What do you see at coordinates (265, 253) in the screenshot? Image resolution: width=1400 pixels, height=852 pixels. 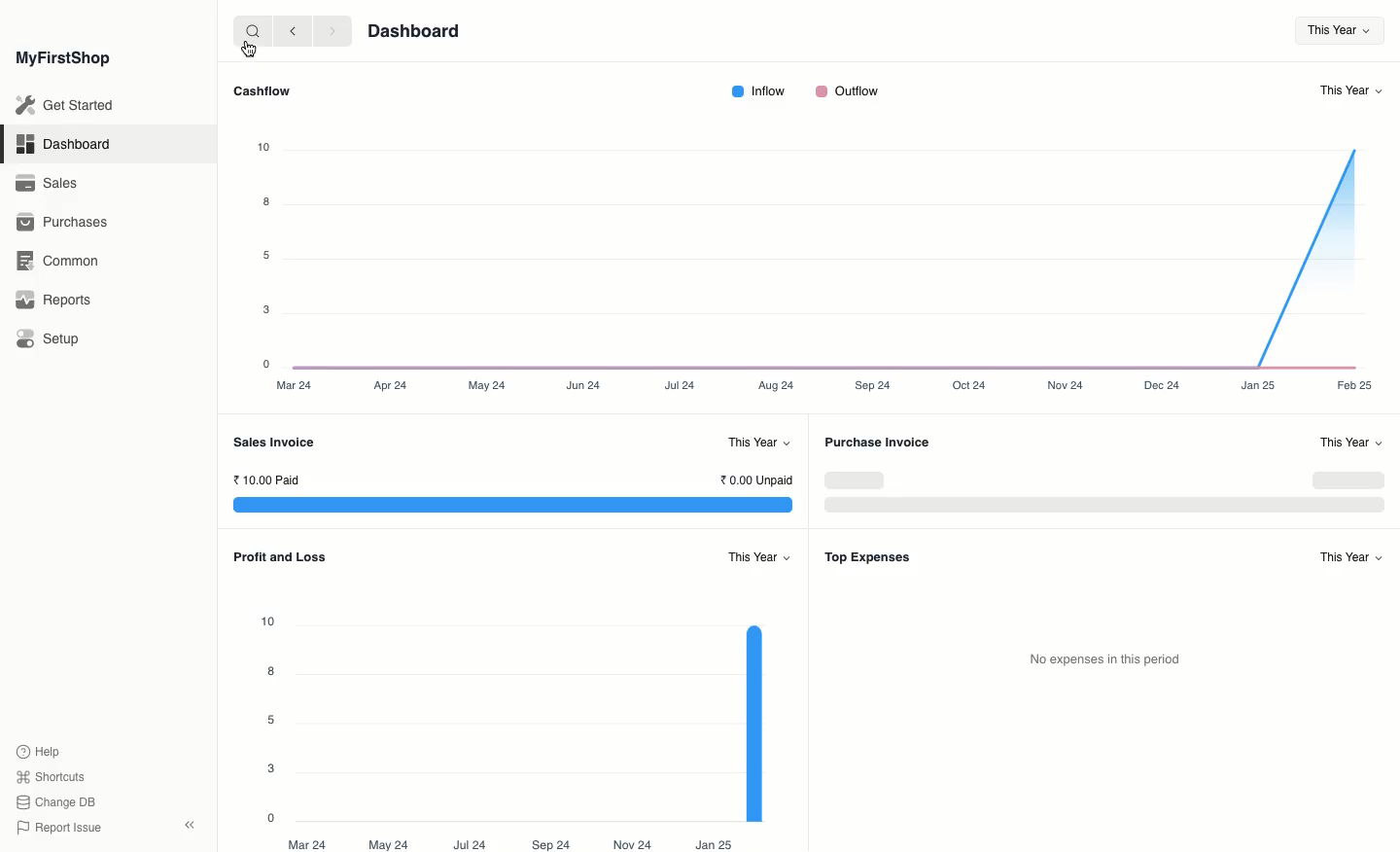 I see `5` at bounding box center [265, 253].